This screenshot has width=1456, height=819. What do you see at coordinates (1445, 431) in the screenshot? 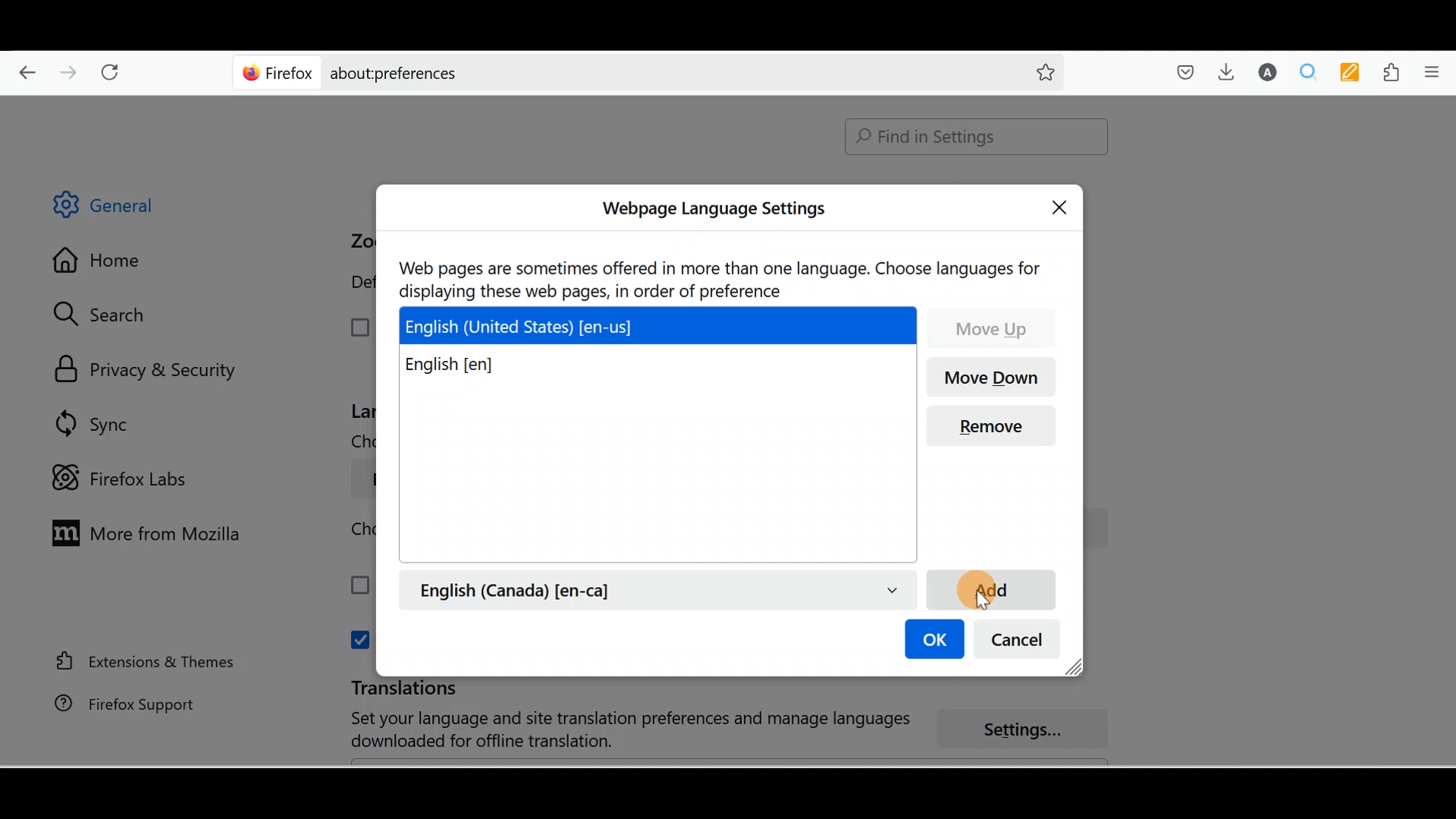
I see `Scroll bar` at bounding box center [1445, 431].